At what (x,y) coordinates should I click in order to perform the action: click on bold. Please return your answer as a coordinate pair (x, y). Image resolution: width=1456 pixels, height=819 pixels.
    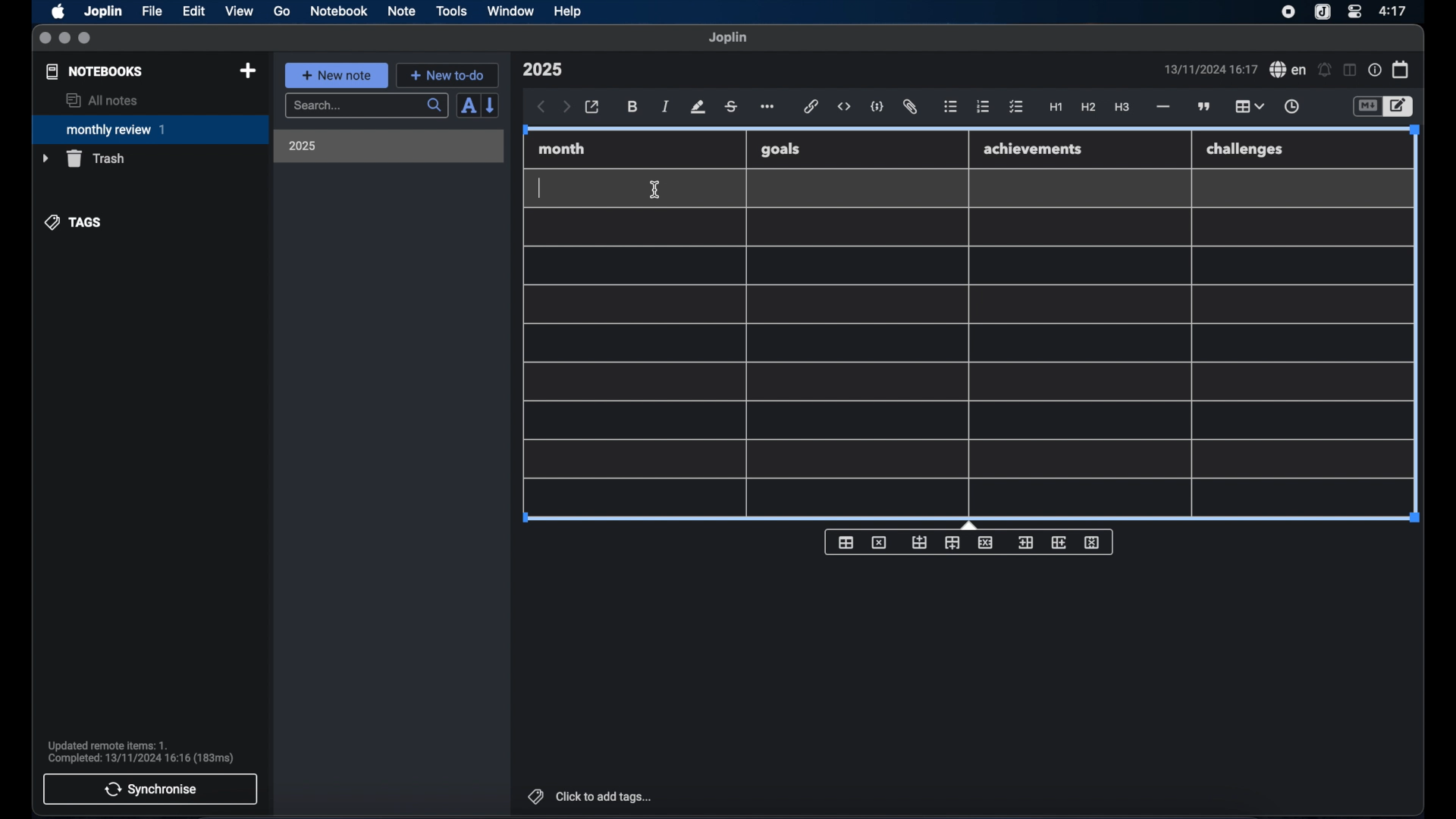
    Looking at the image, I should click on (634, 107).